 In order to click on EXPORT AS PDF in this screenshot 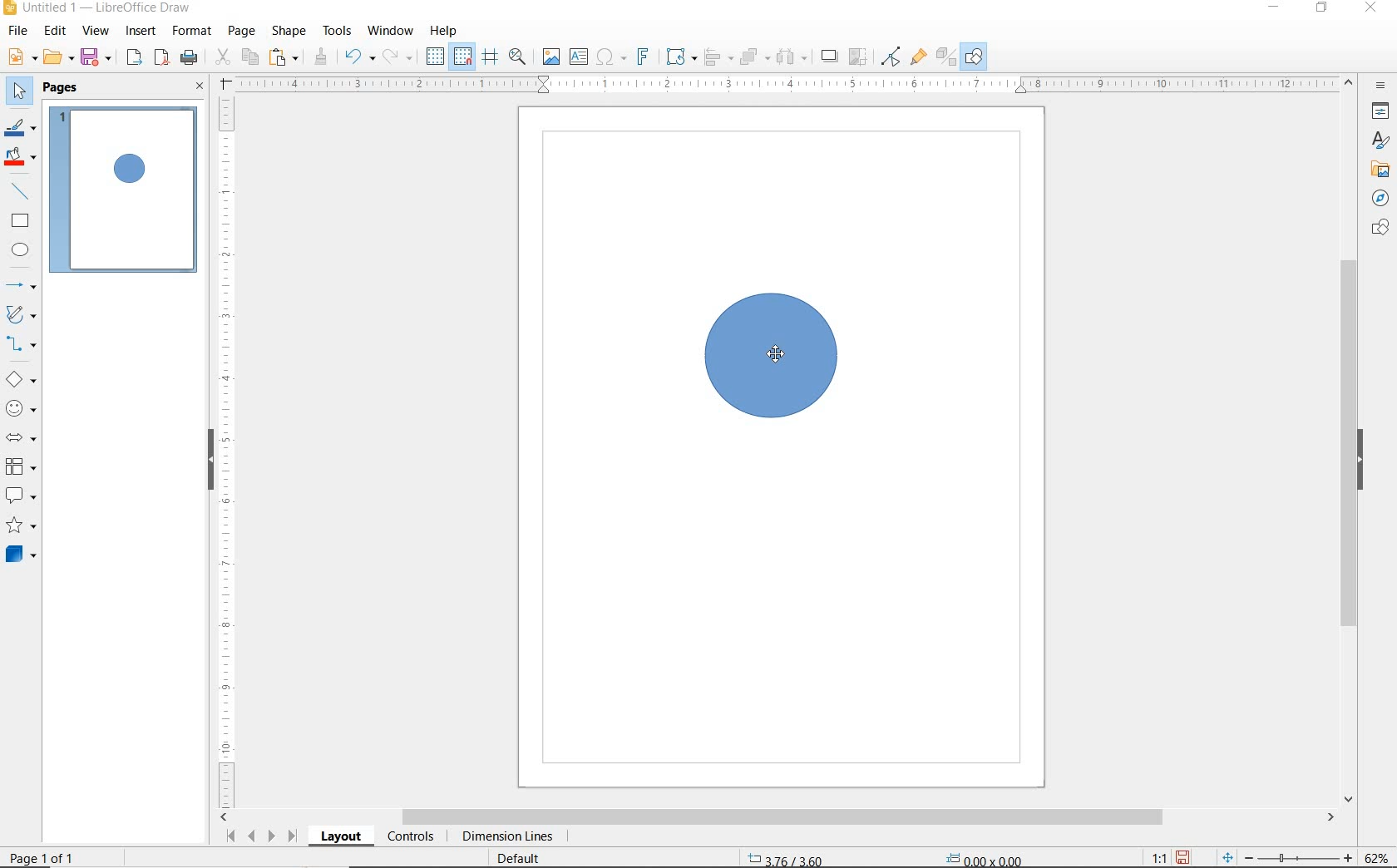, I will do `click(161, 57)`.